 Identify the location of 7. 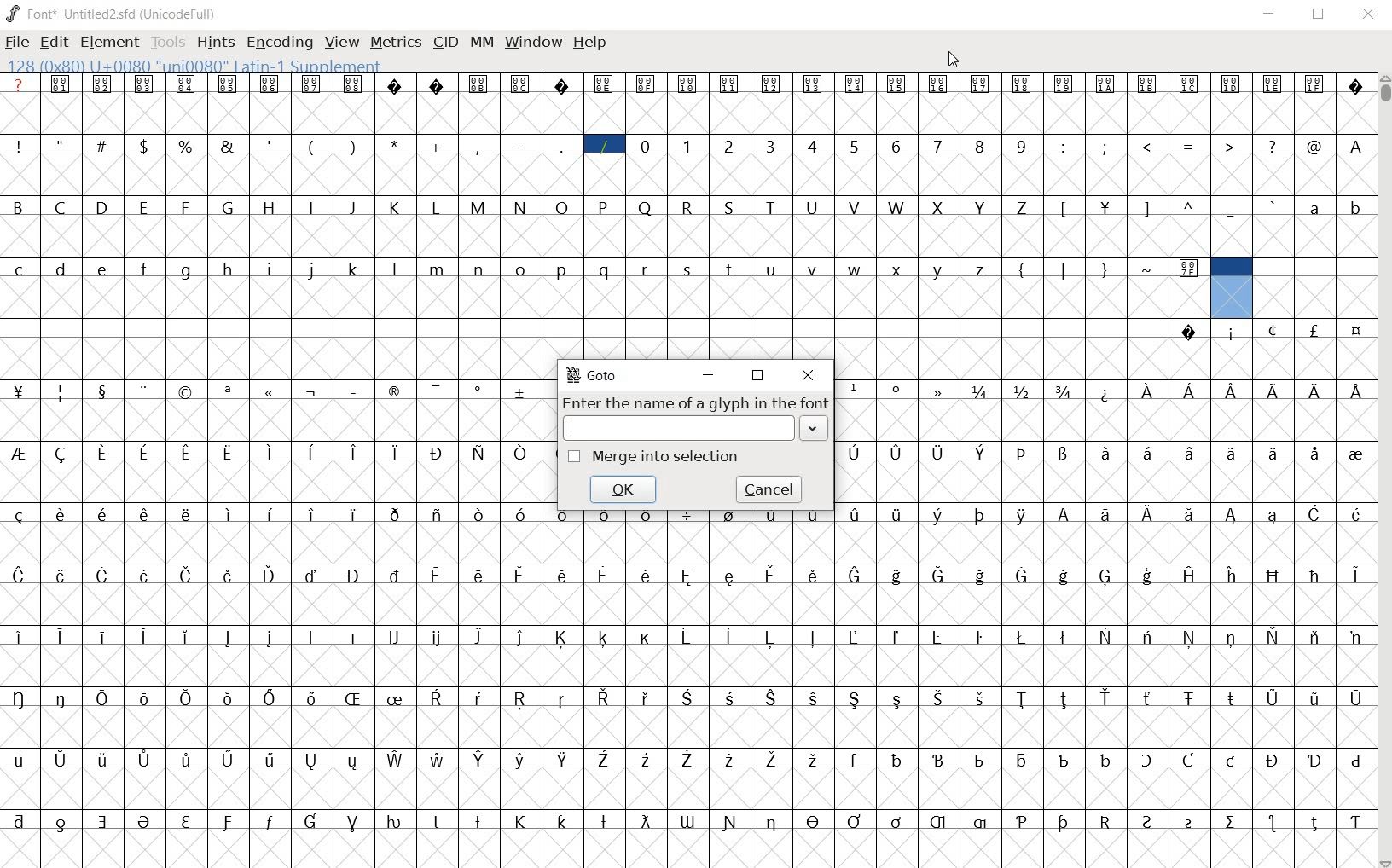
(938, 145).